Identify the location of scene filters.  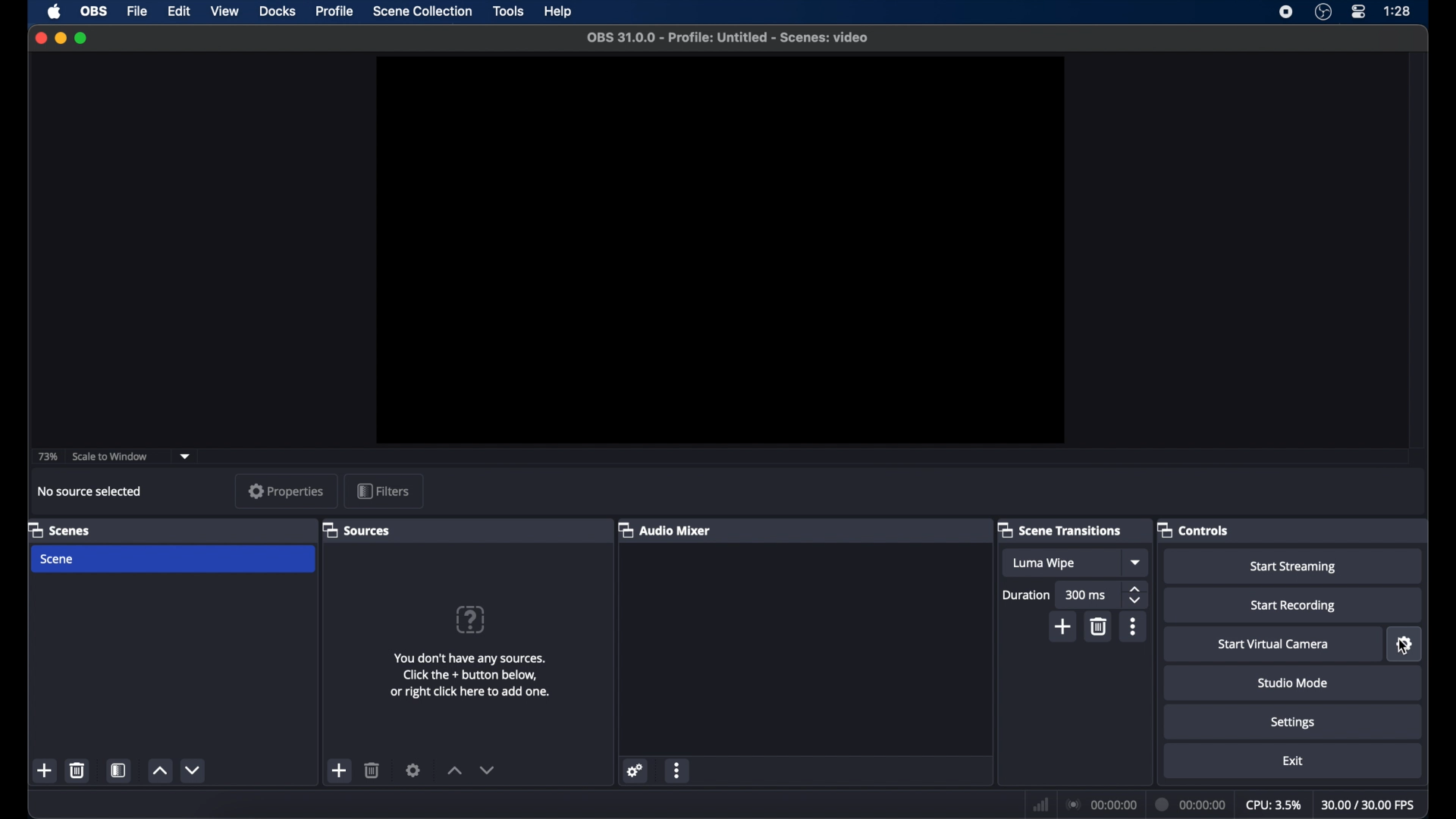
(120, 770).